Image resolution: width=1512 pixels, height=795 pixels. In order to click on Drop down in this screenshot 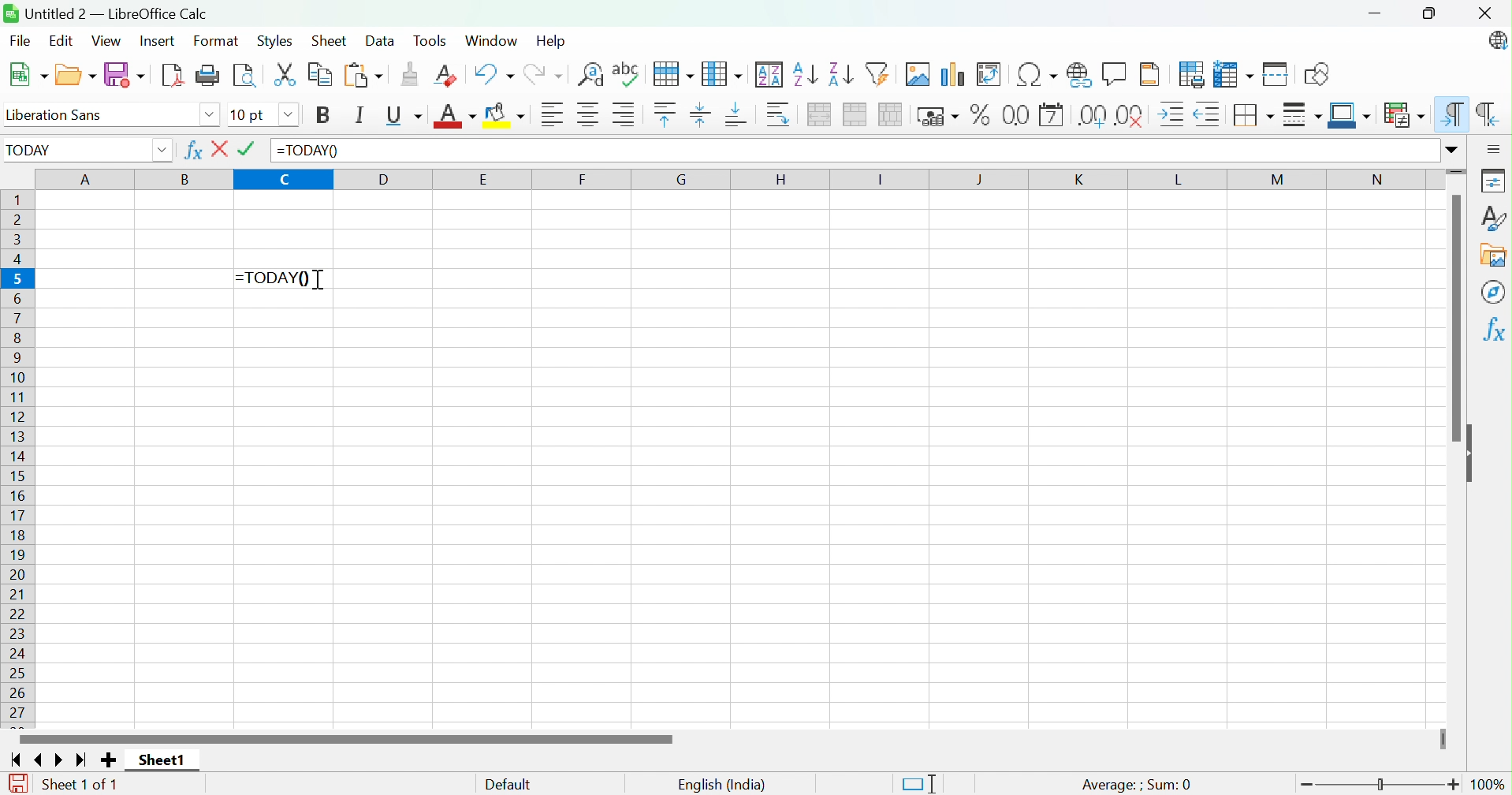, I will do `click(161, 151)`.